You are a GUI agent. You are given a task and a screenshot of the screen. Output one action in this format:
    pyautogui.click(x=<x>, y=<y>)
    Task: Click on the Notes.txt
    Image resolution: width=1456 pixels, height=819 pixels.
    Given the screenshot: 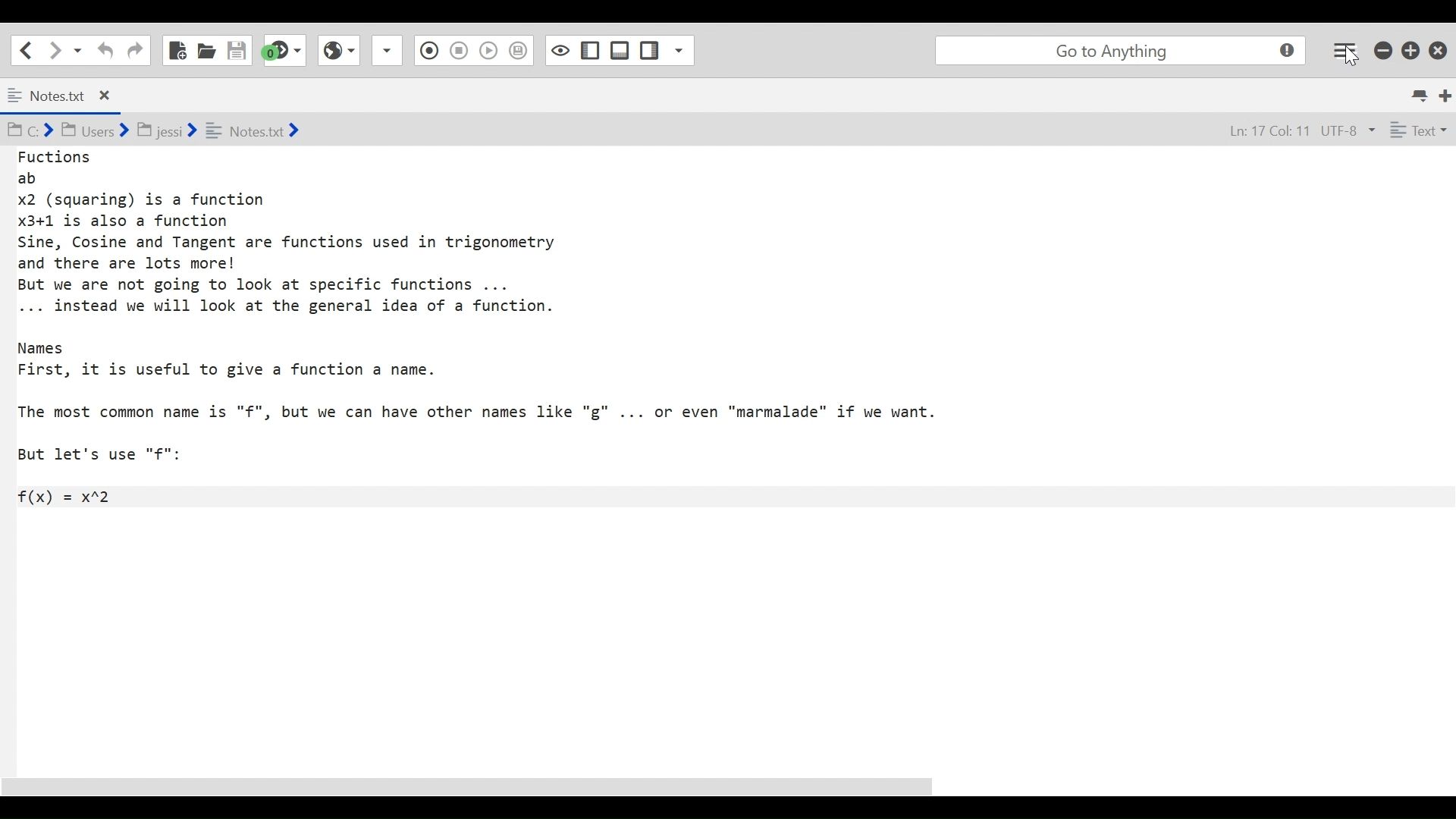 What is the action you would take?
    pyautogui.click(x=71, y=96)
    